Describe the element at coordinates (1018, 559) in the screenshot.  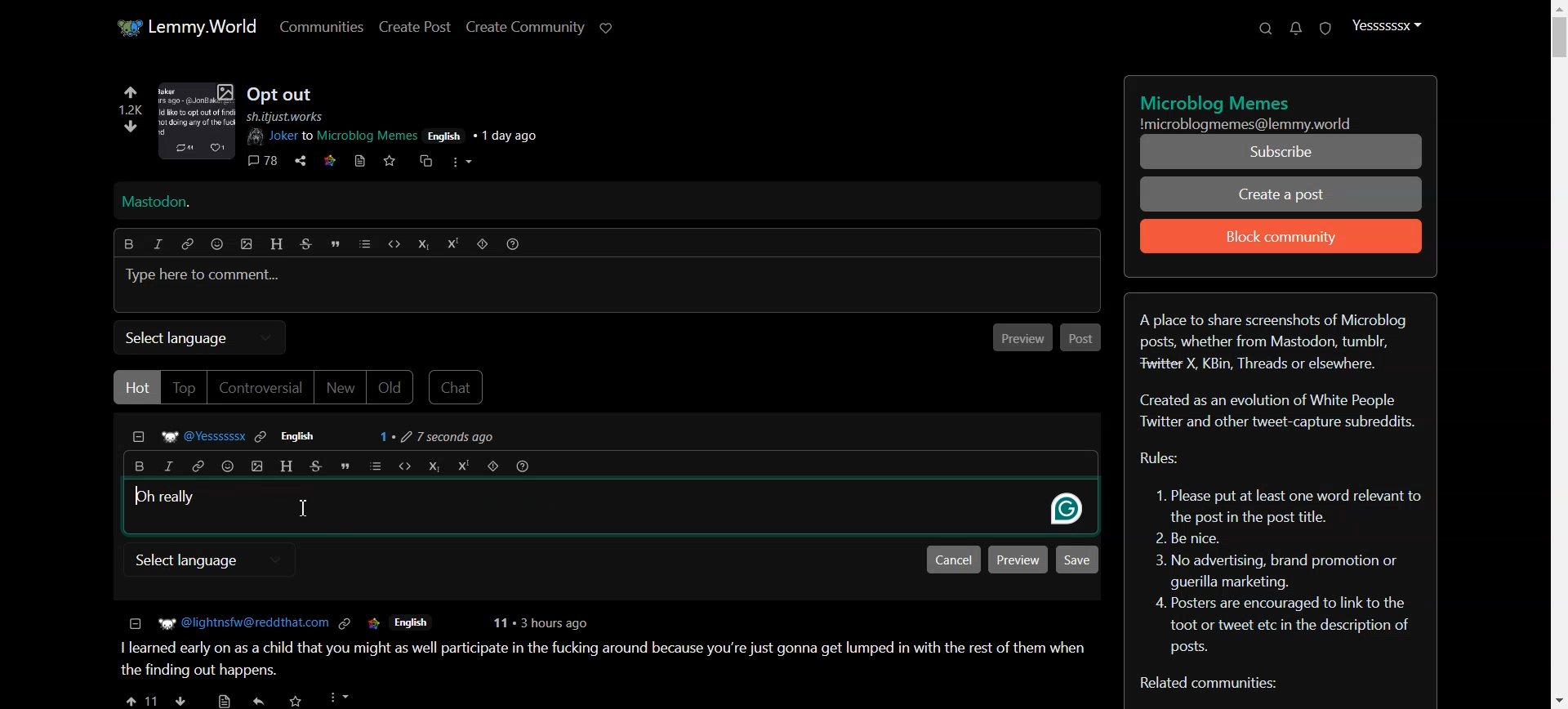
I see `Preview` at that location.